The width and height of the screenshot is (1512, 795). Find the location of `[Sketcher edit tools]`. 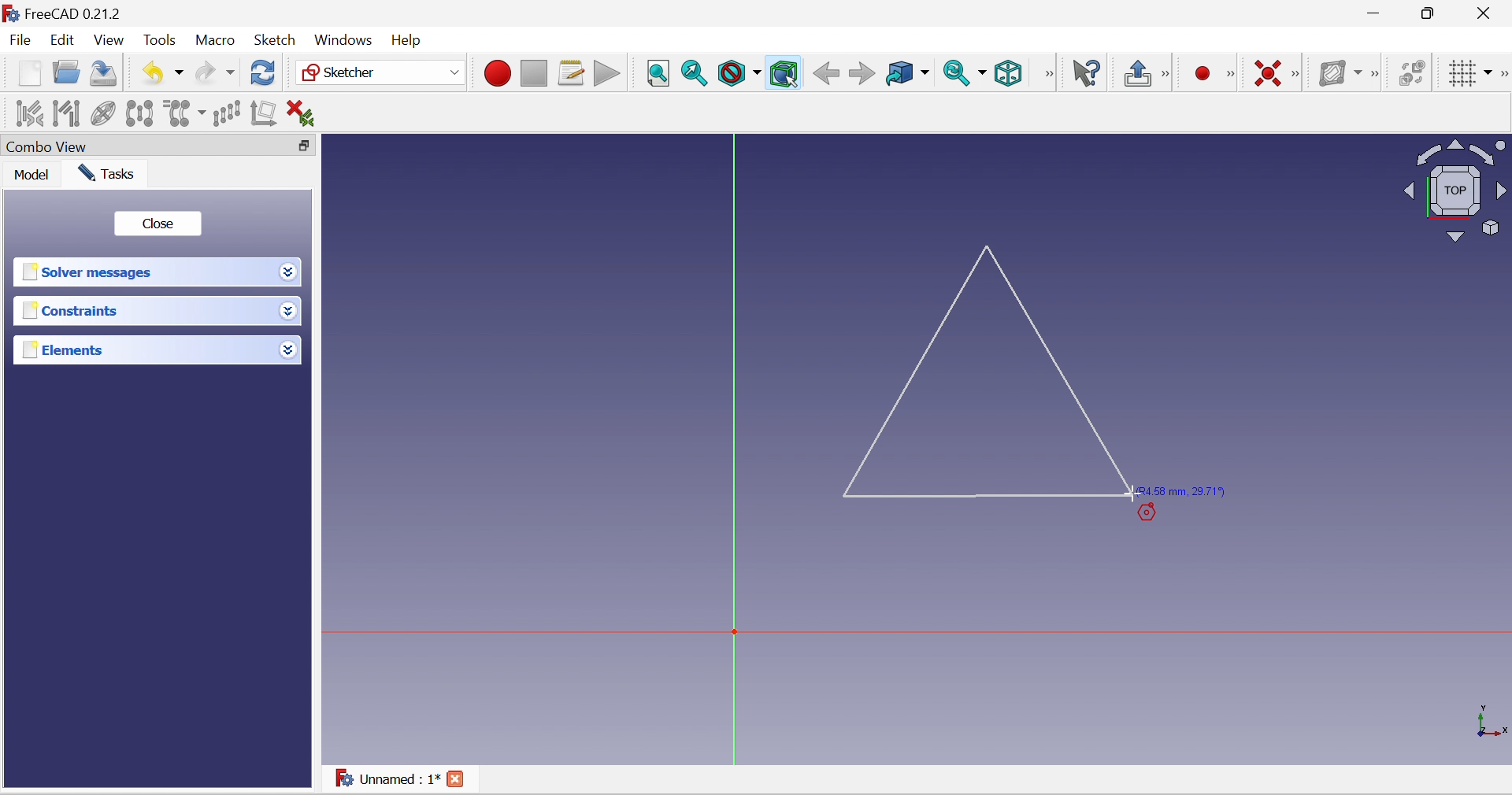

[Sketcher edit tools] is located at coordinates (1503, 75).